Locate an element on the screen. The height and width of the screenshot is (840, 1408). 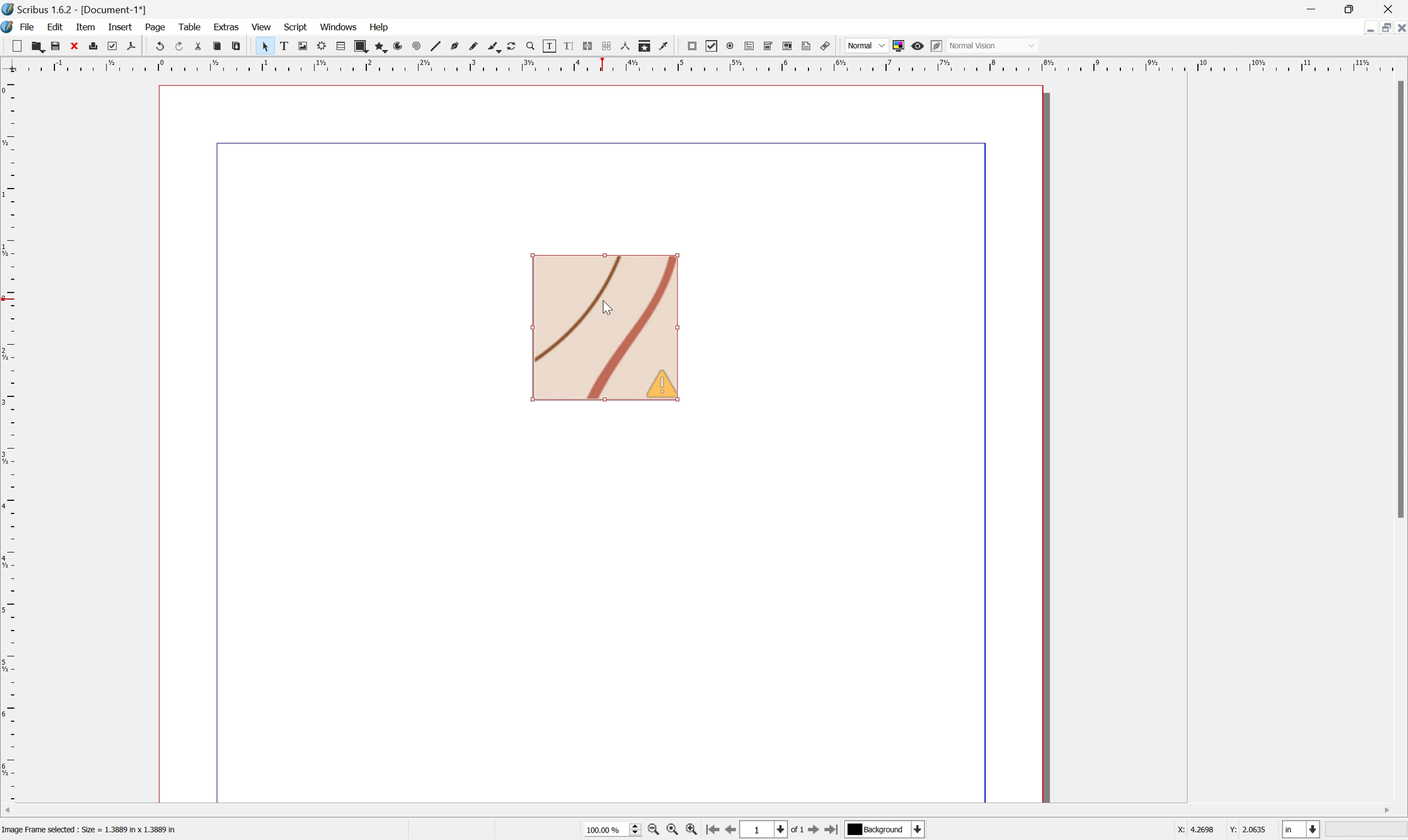
Arc is located at coordinates (403, 48).